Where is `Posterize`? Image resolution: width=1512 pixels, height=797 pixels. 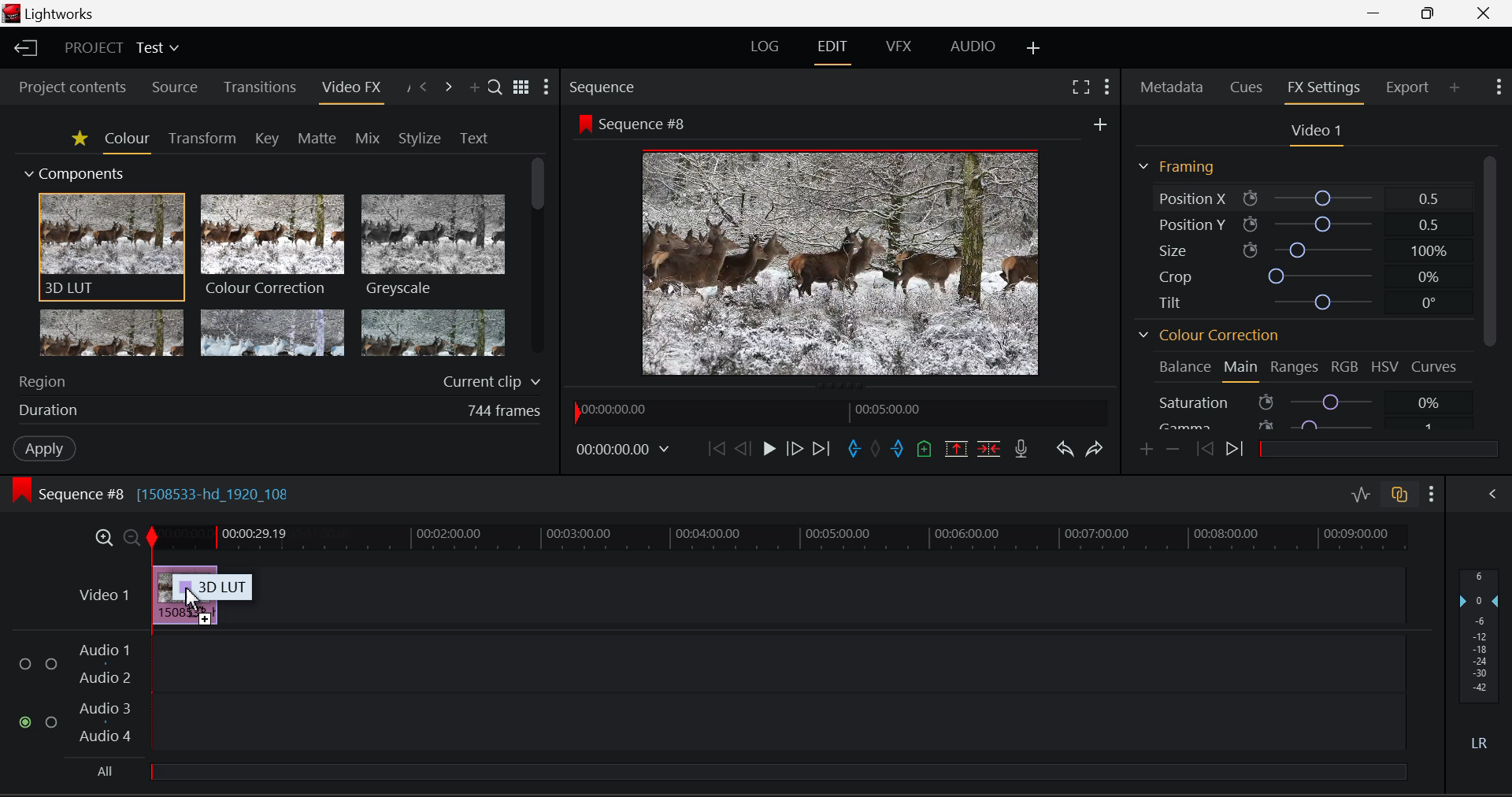
Posterize is located at coordinates (434, 334).